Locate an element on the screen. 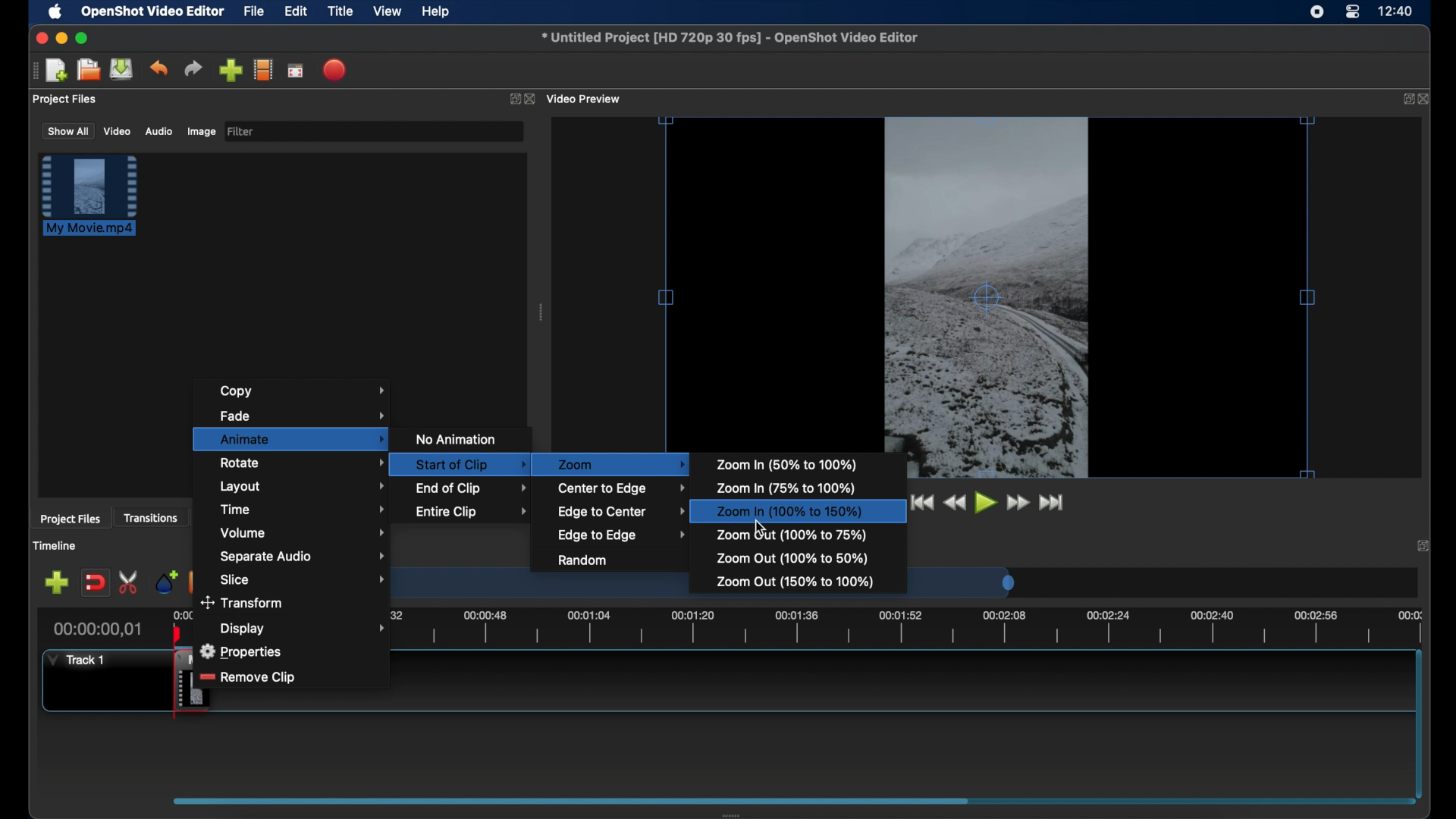 This screenshot has width=1456, height=819. 0.00 is located at coordinates (179, 614).